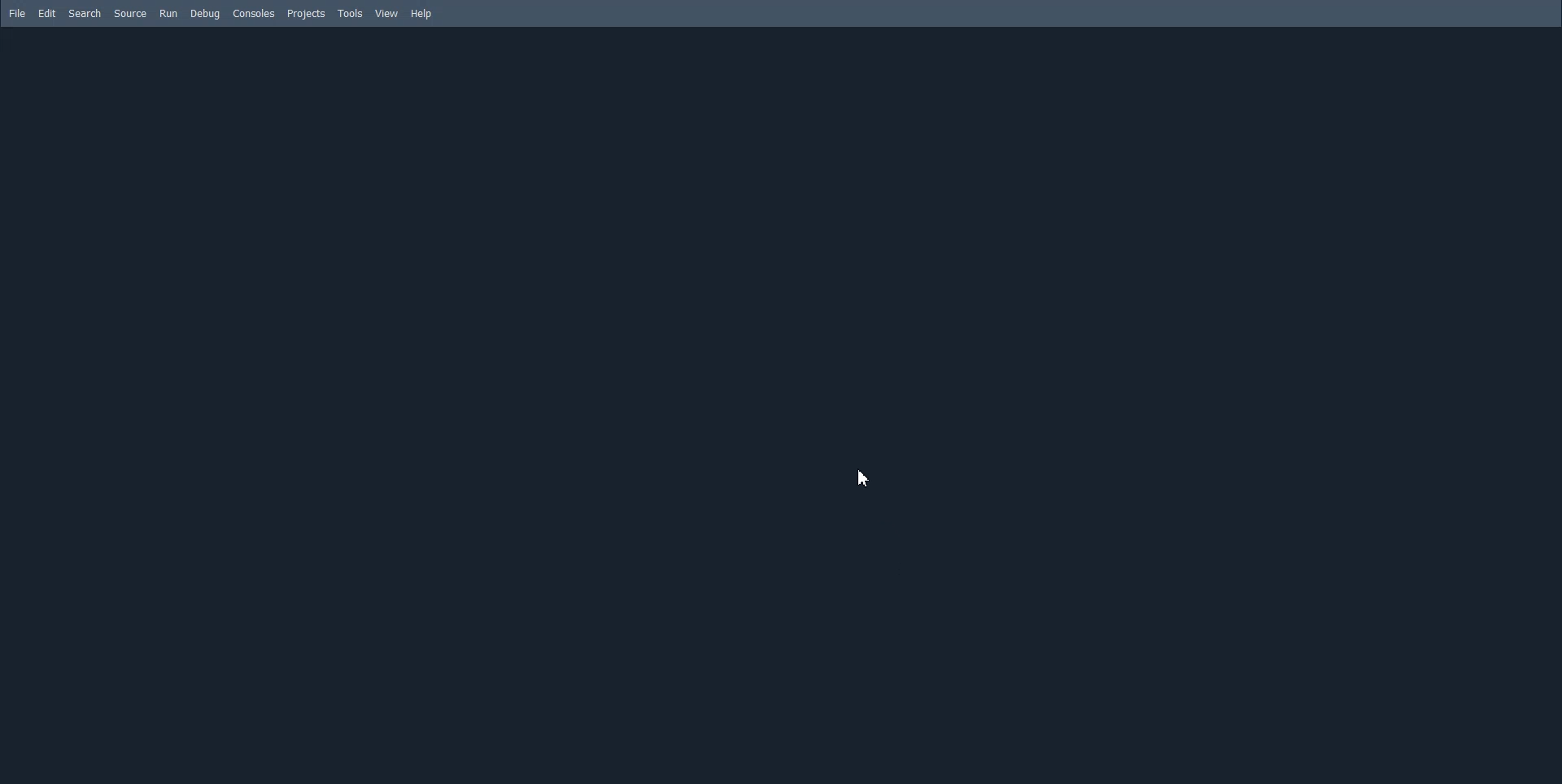 This screenshot has width=1562, height=784. Describe the element at coordinates (16, 13) in the screenshot. I see `File` at that location.